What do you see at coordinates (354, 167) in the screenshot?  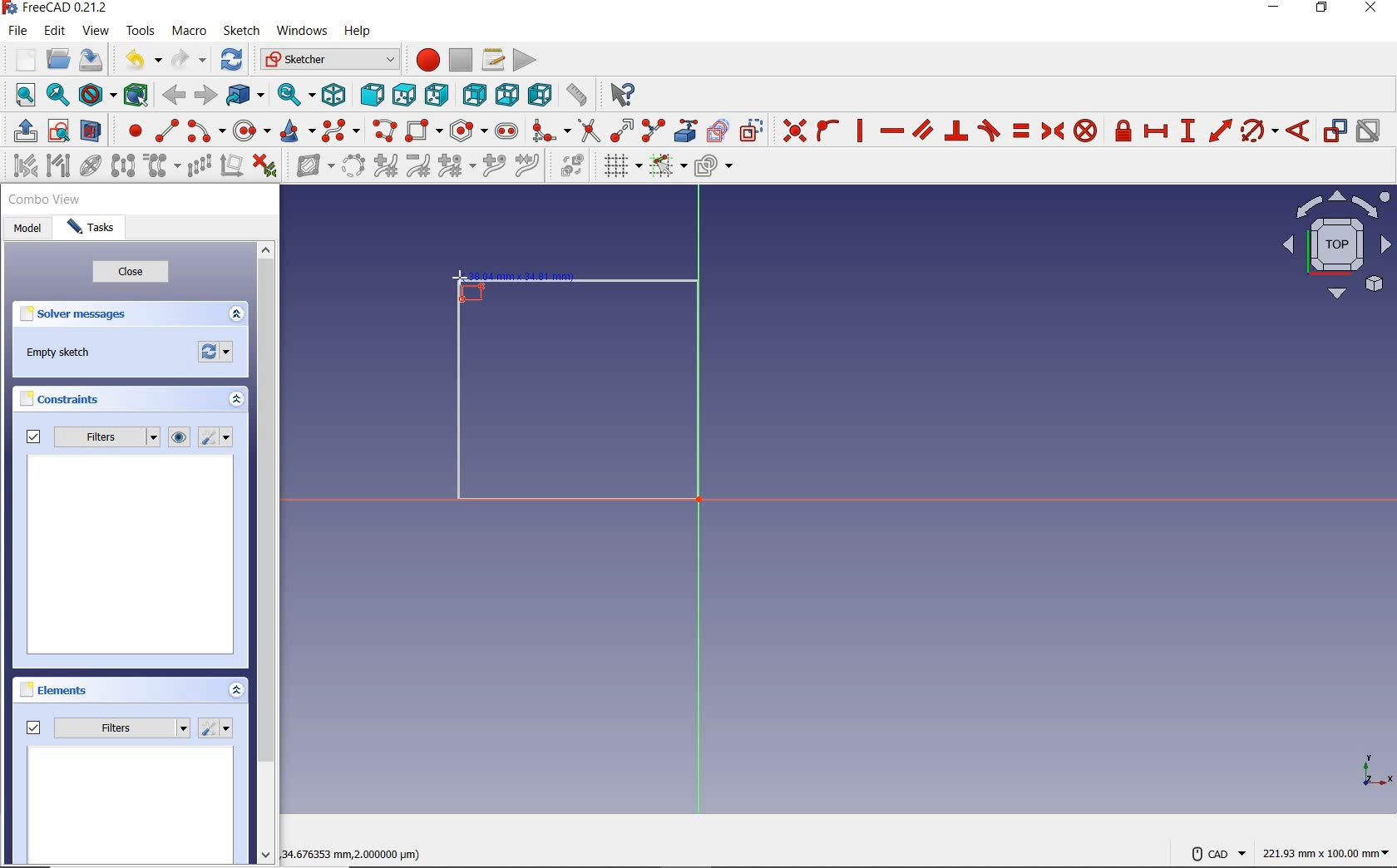 I see `convert geometry to B-Spline` at bounding box center [354, 167].